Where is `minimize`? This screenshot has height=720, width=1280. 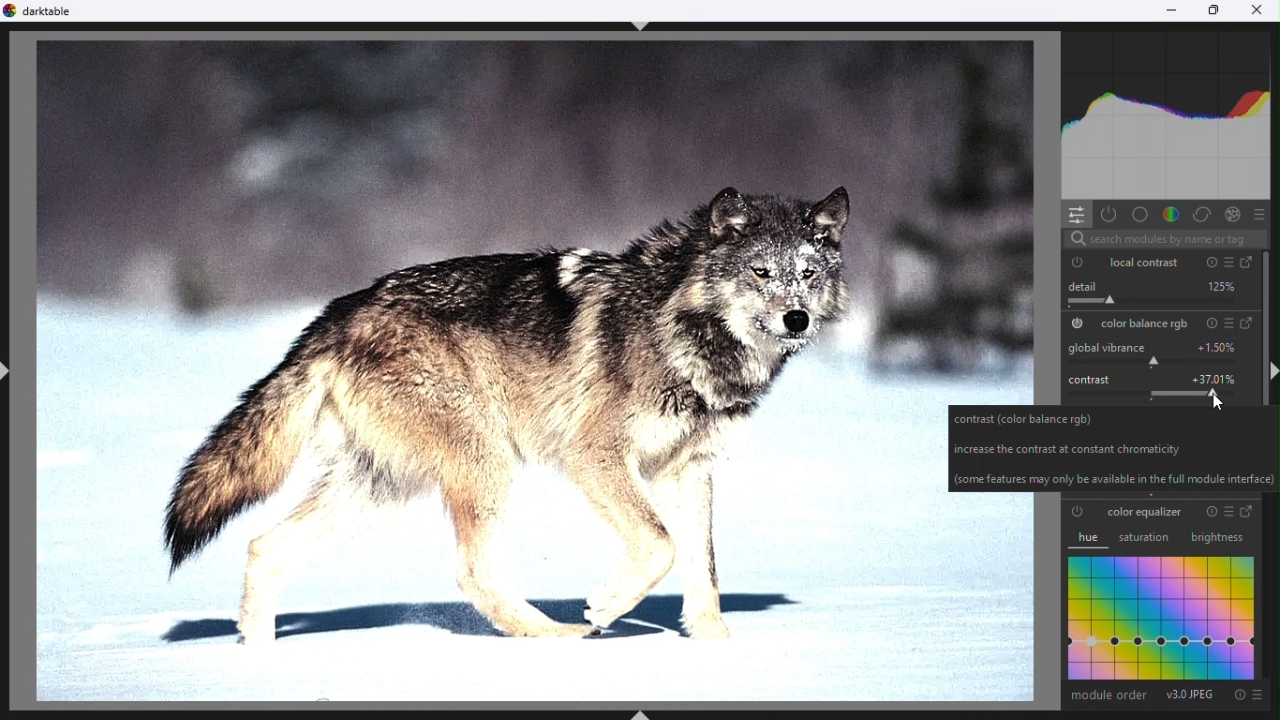 minimize is located at coordinates (1172, 11).